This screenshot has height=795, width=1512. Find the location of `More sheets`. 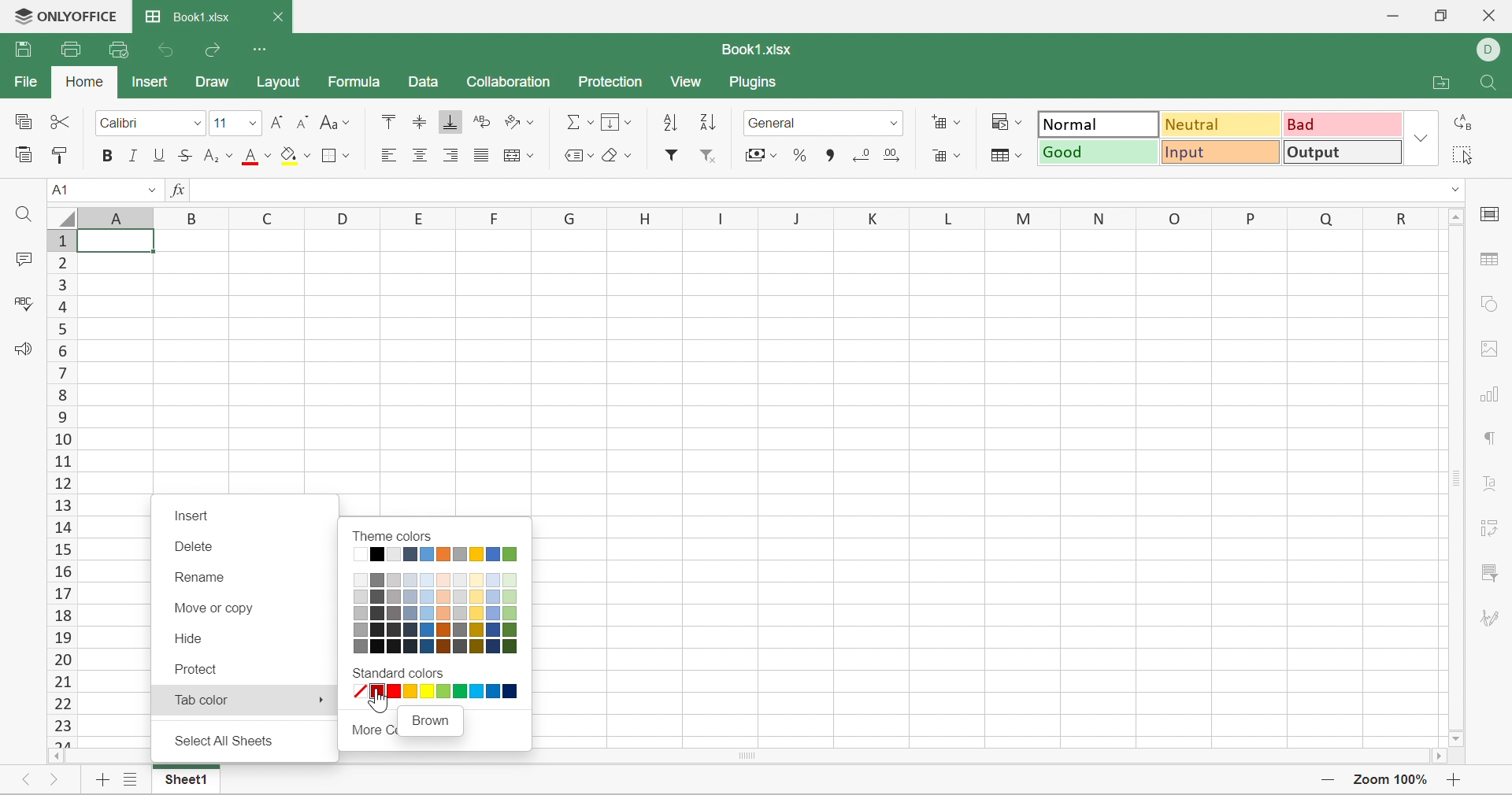

More sheets is located at coordinates (132, 774).